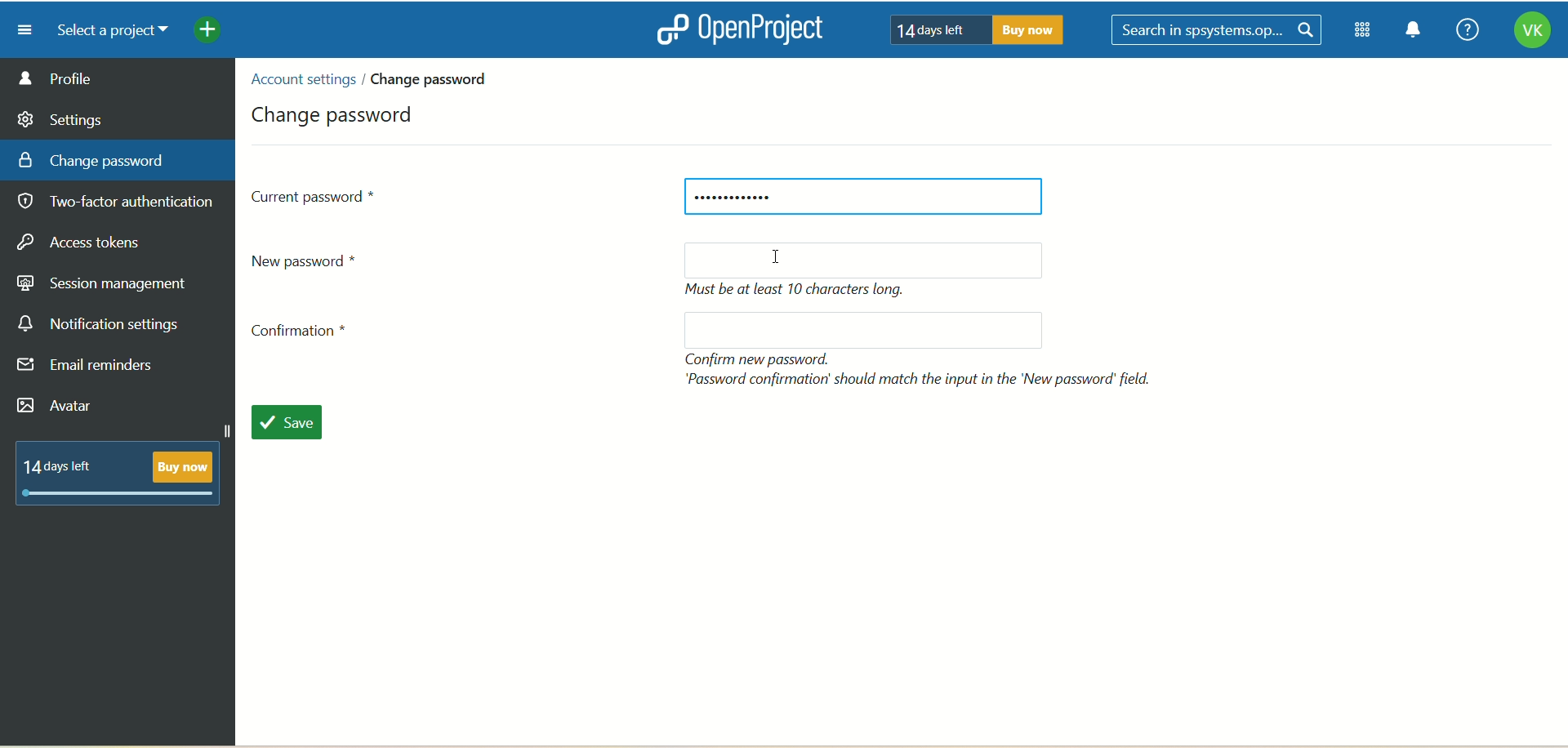  Describe the element at coordinates (1219, 31) in the screenshot. I see `search` at that location.